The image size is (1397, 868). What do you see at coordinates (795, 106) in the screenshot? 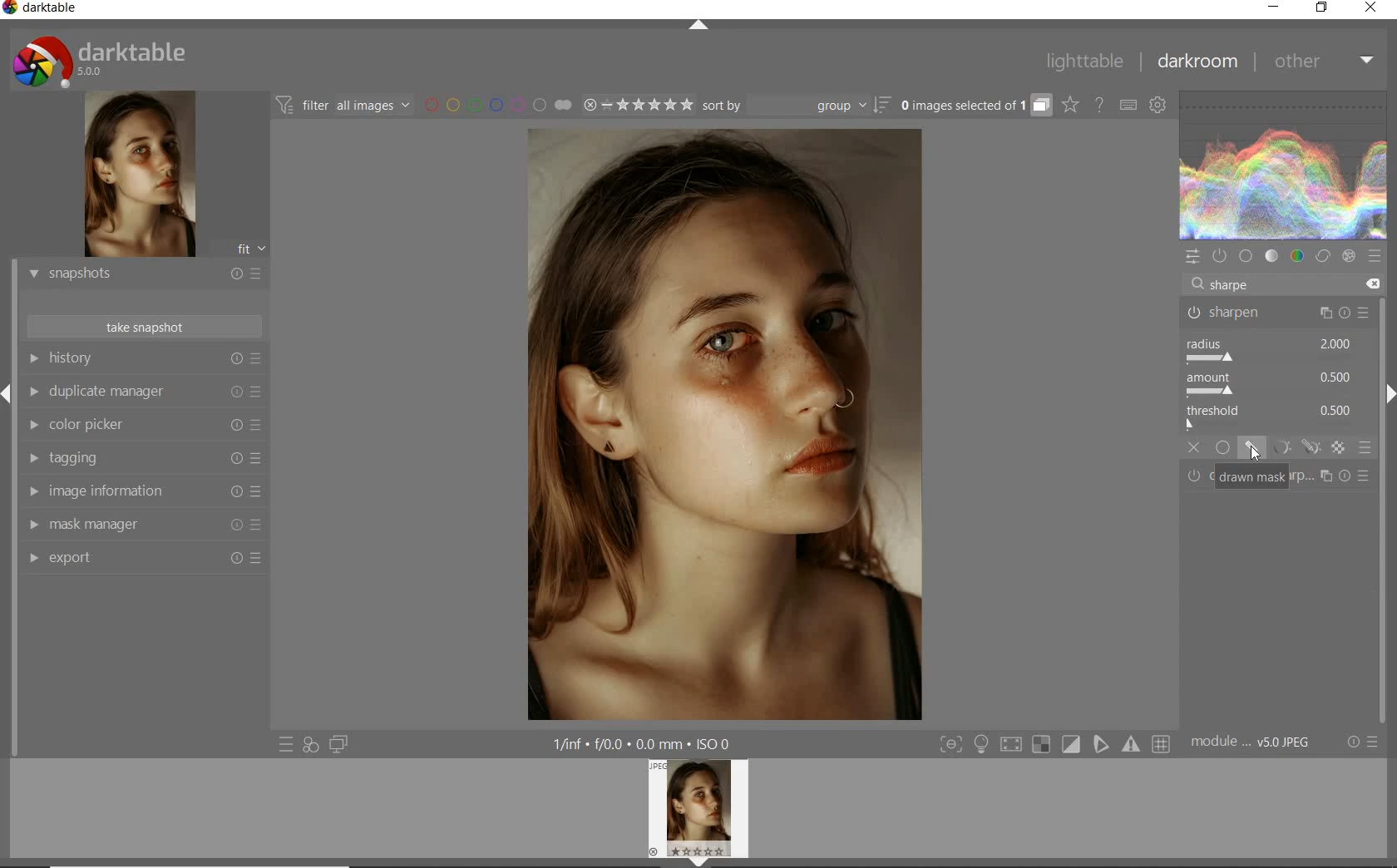
I see `sort` at bounding box center [795, 106].